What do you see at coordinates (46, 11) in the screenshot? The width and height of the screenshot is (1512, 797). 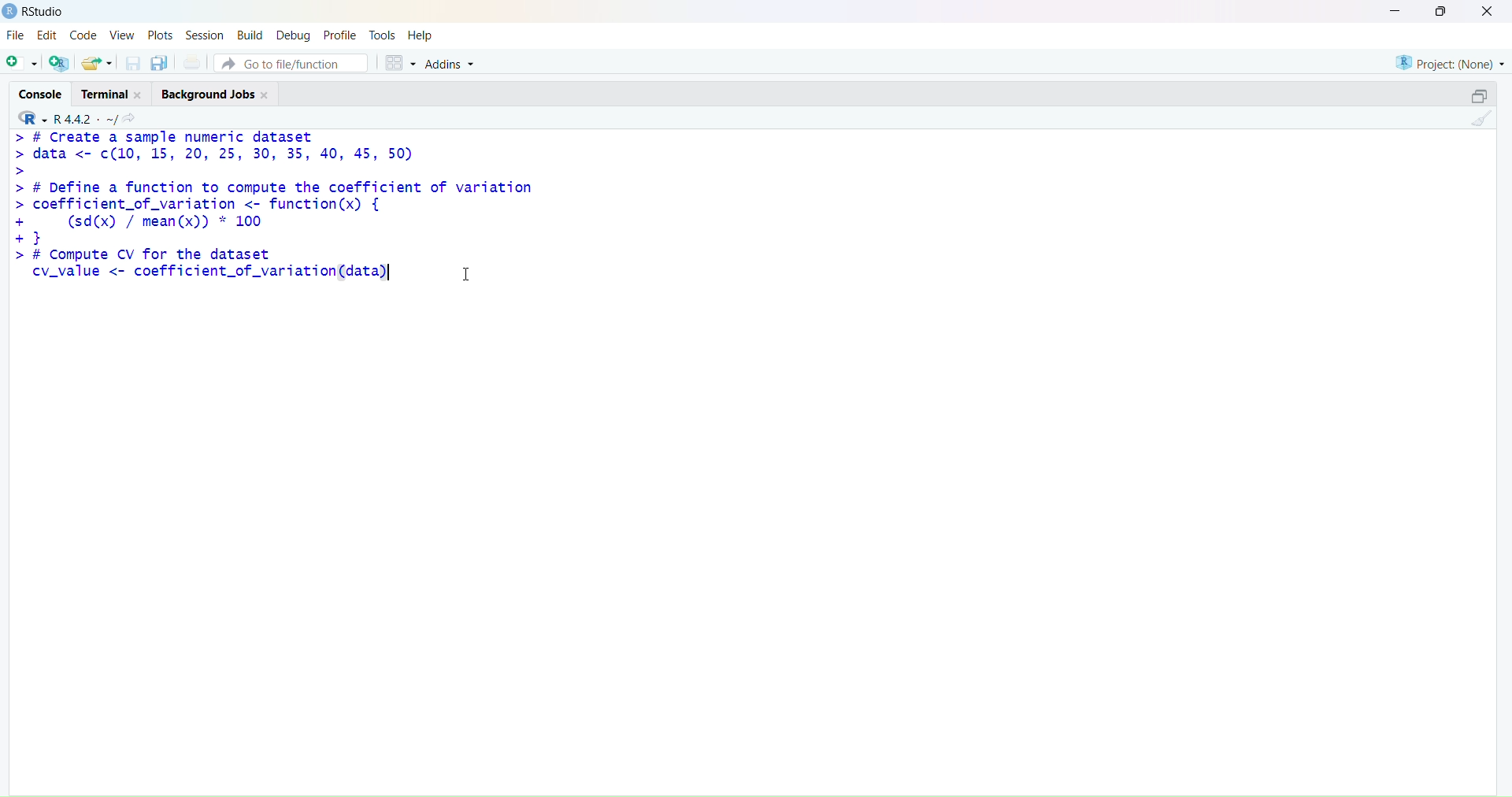 I see `RStudio` at bounding box center [46, 11].